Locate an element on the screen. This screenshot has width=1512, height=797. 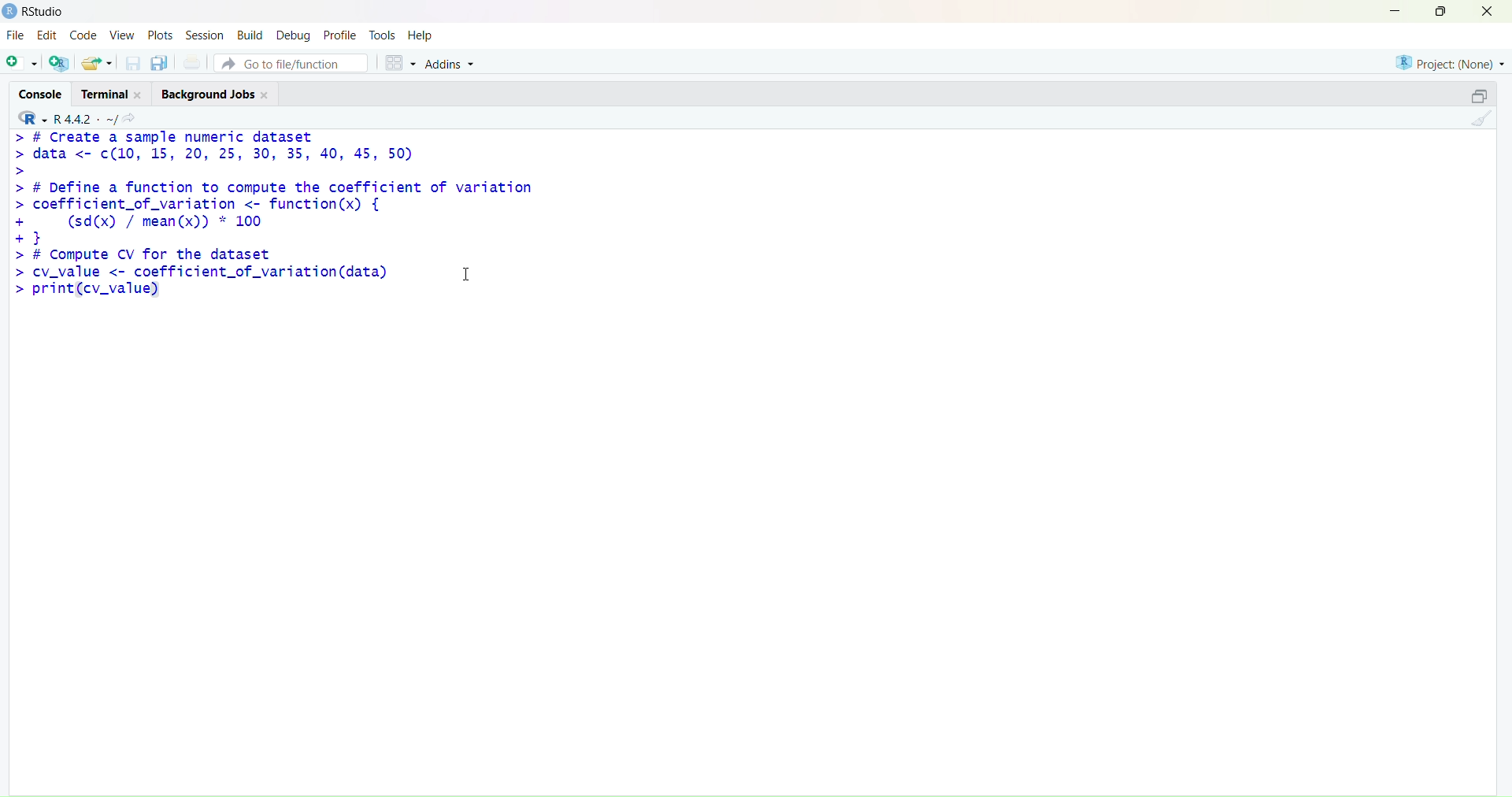
build is located at coordinates (250, 35).